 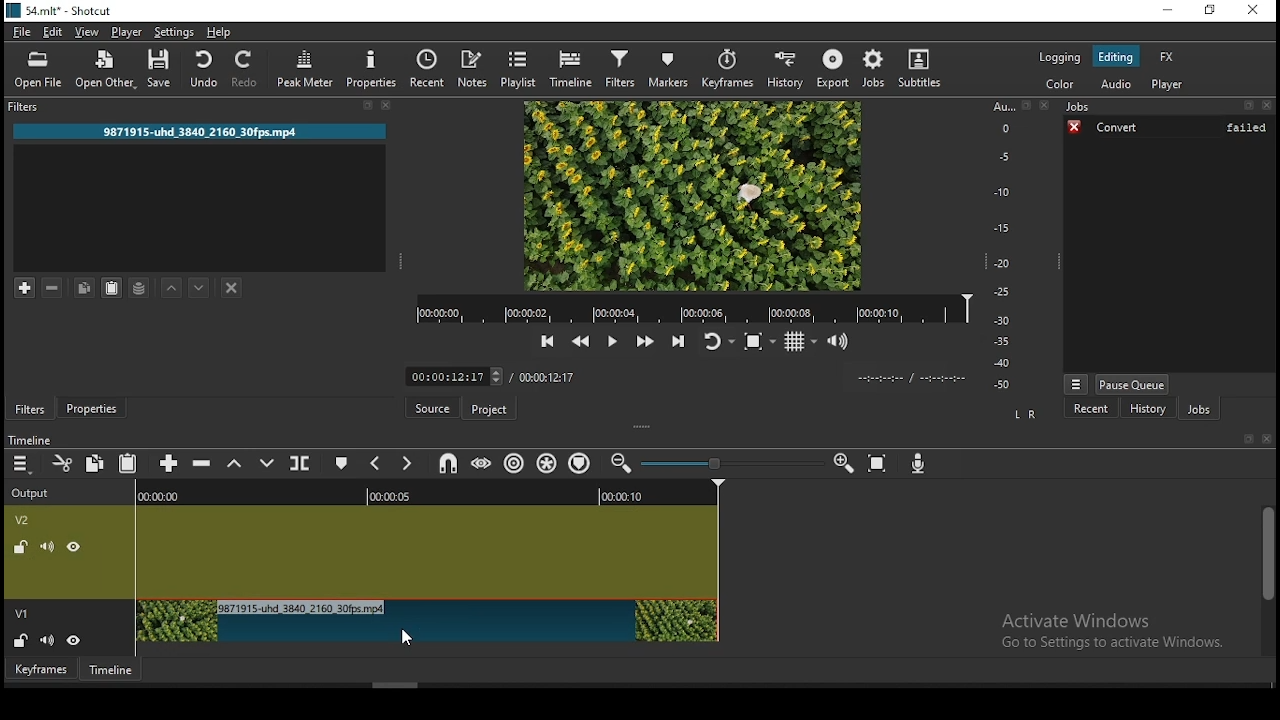 I want to click on fx, so click(x=1167, y=56).